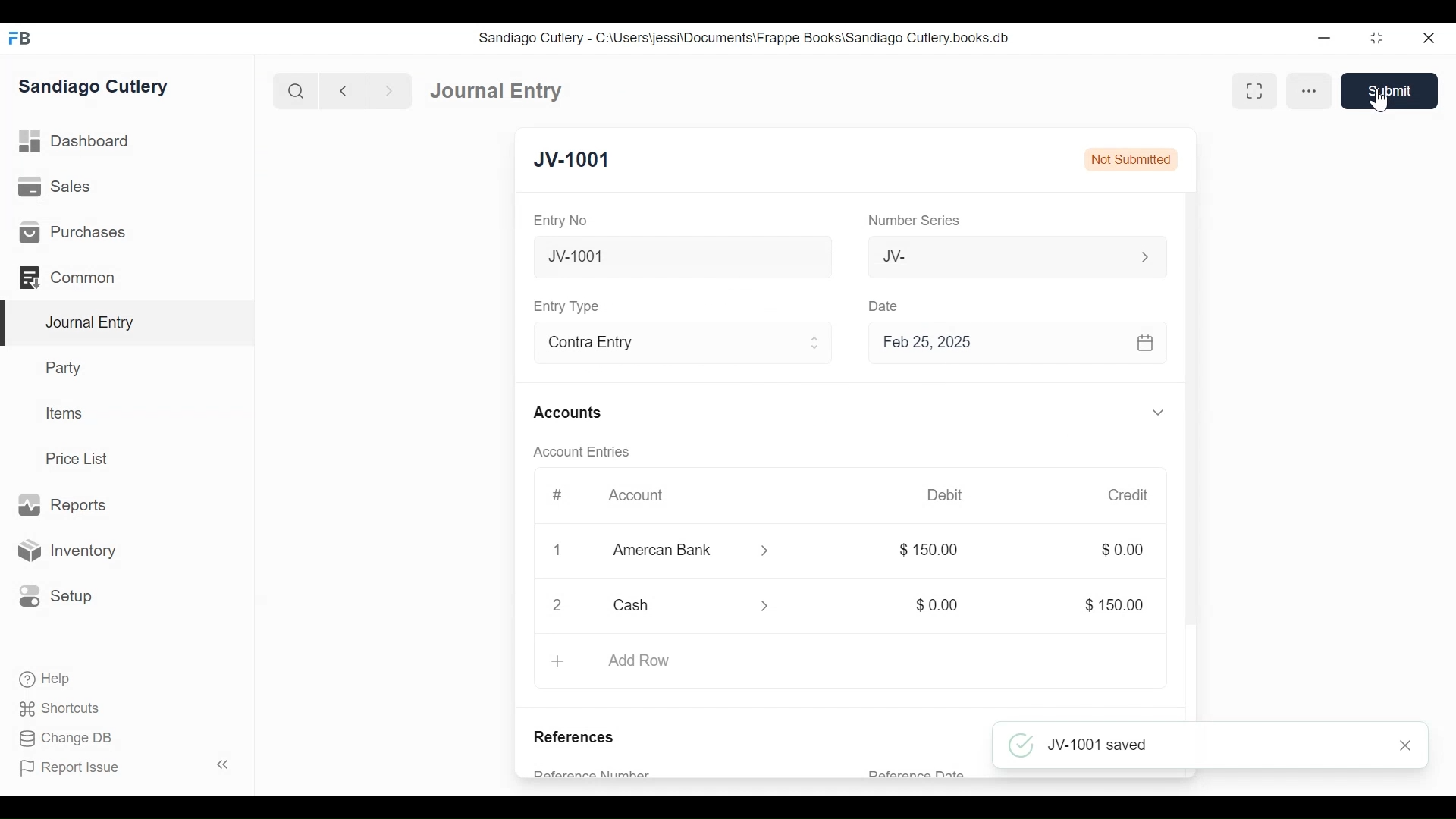 The height and width of the screenshot is (819, 1456). Describe the element at coordinates (579, 739) in the screenshot. I see `References` at that location.